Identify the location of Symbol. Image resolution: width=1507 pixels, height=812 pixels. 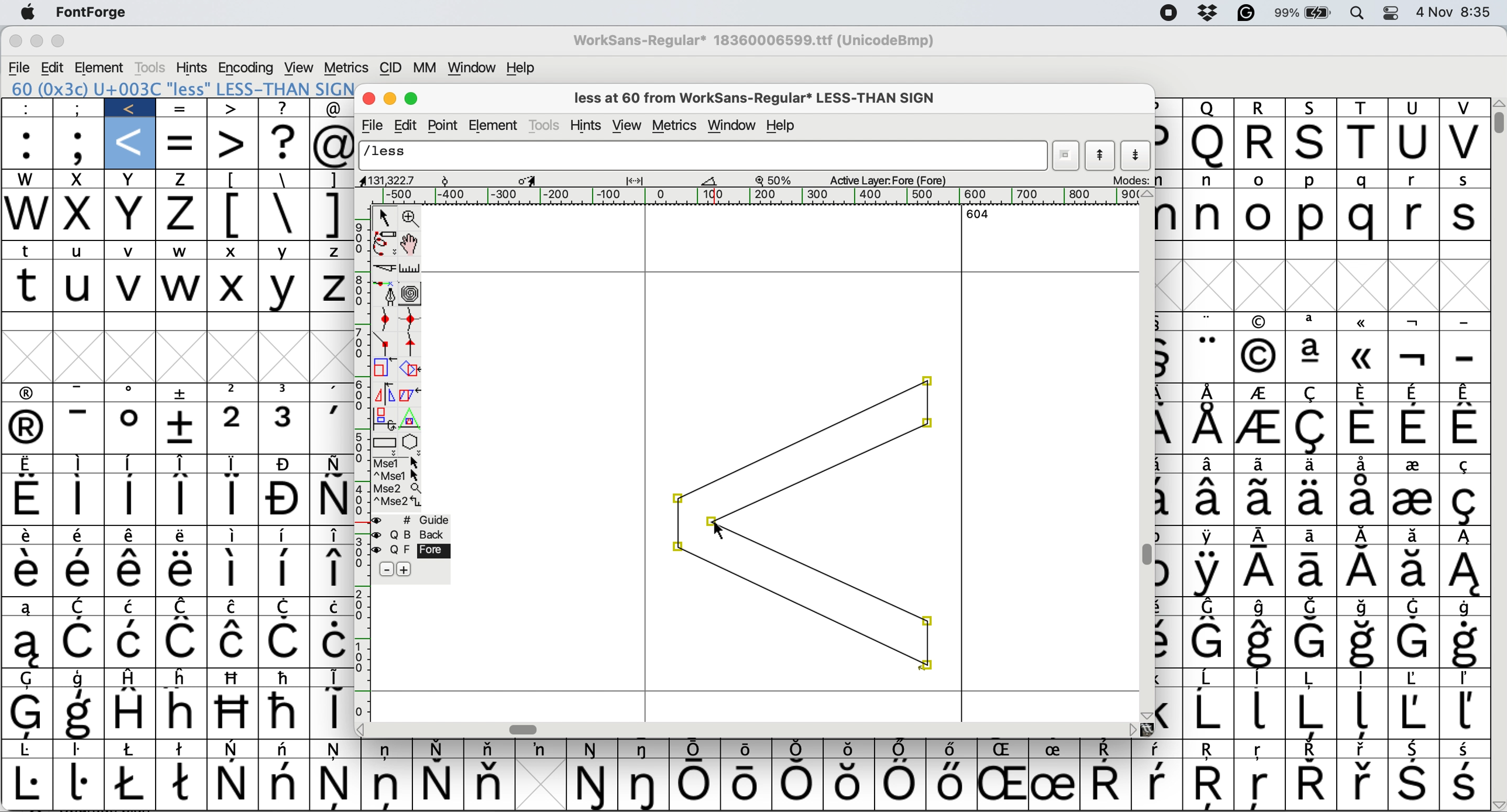
(592, 786).